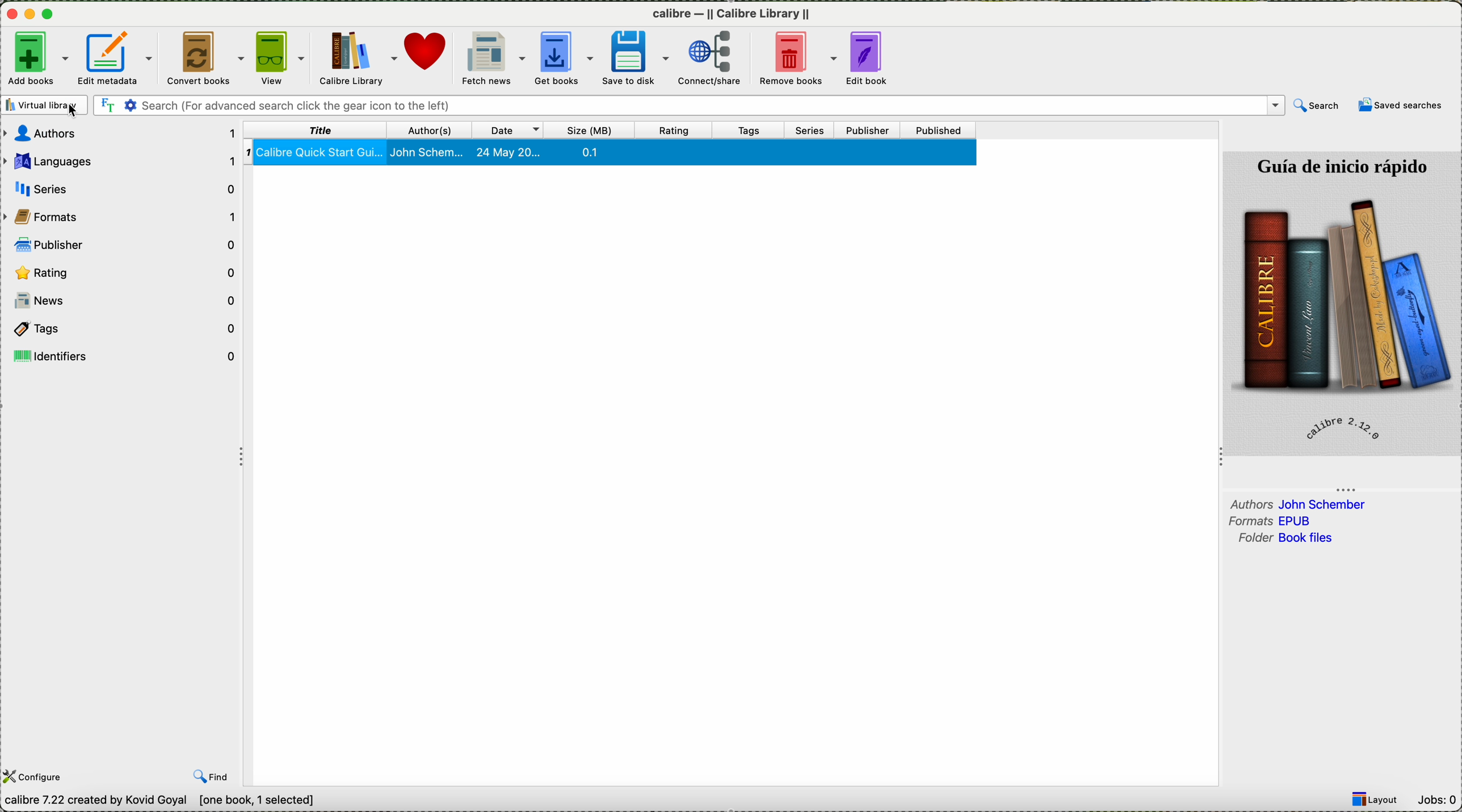 This screenshot has height=812, width=1462. What do you see at coordinates (360, 58) in the screenshot?
I see `calibre library` at bounding box center [360, 58].